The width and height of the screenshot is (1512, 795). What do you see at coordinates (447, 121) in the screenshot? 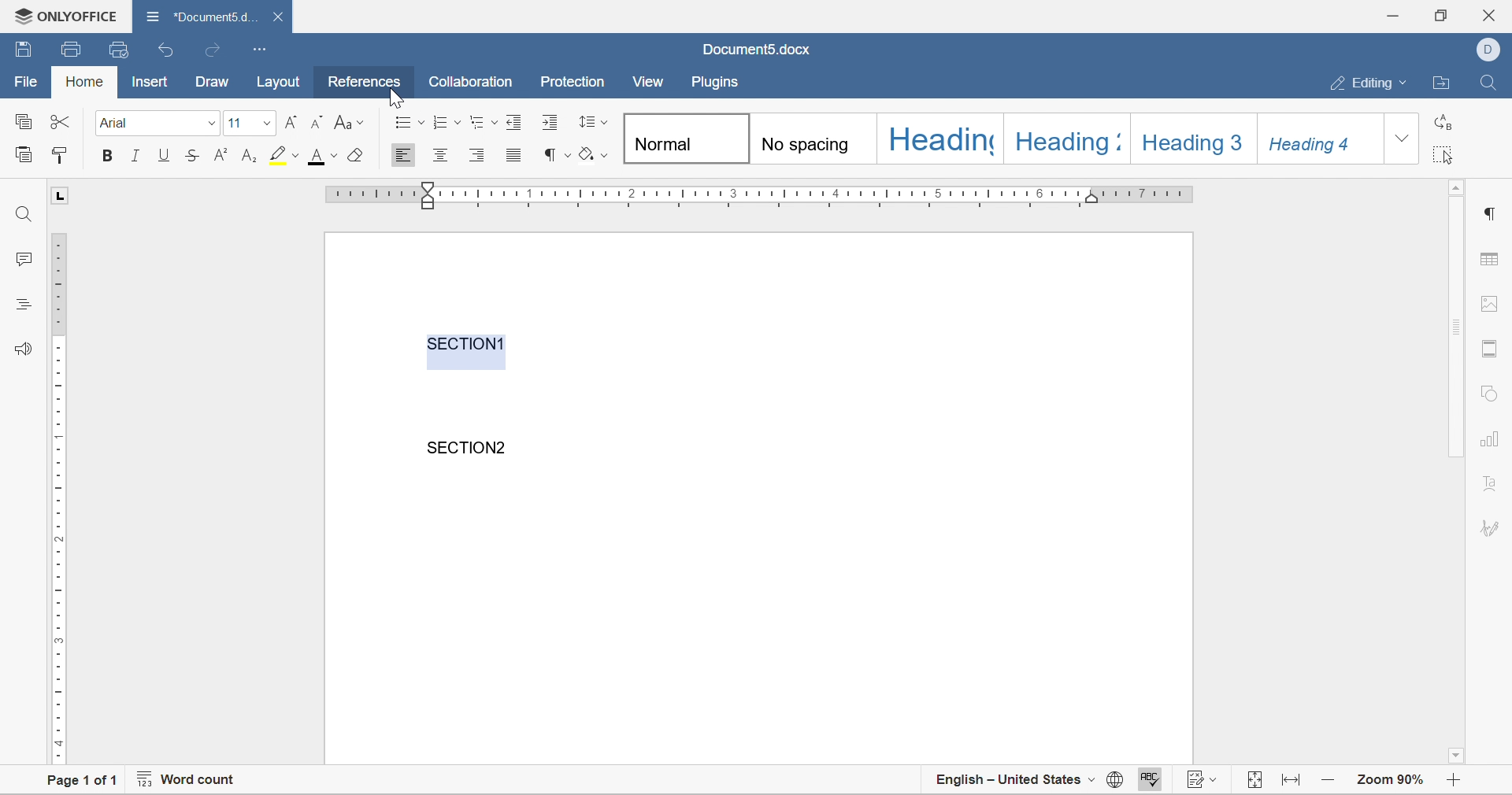
I see `numbering` at bounding box center [447, 121].